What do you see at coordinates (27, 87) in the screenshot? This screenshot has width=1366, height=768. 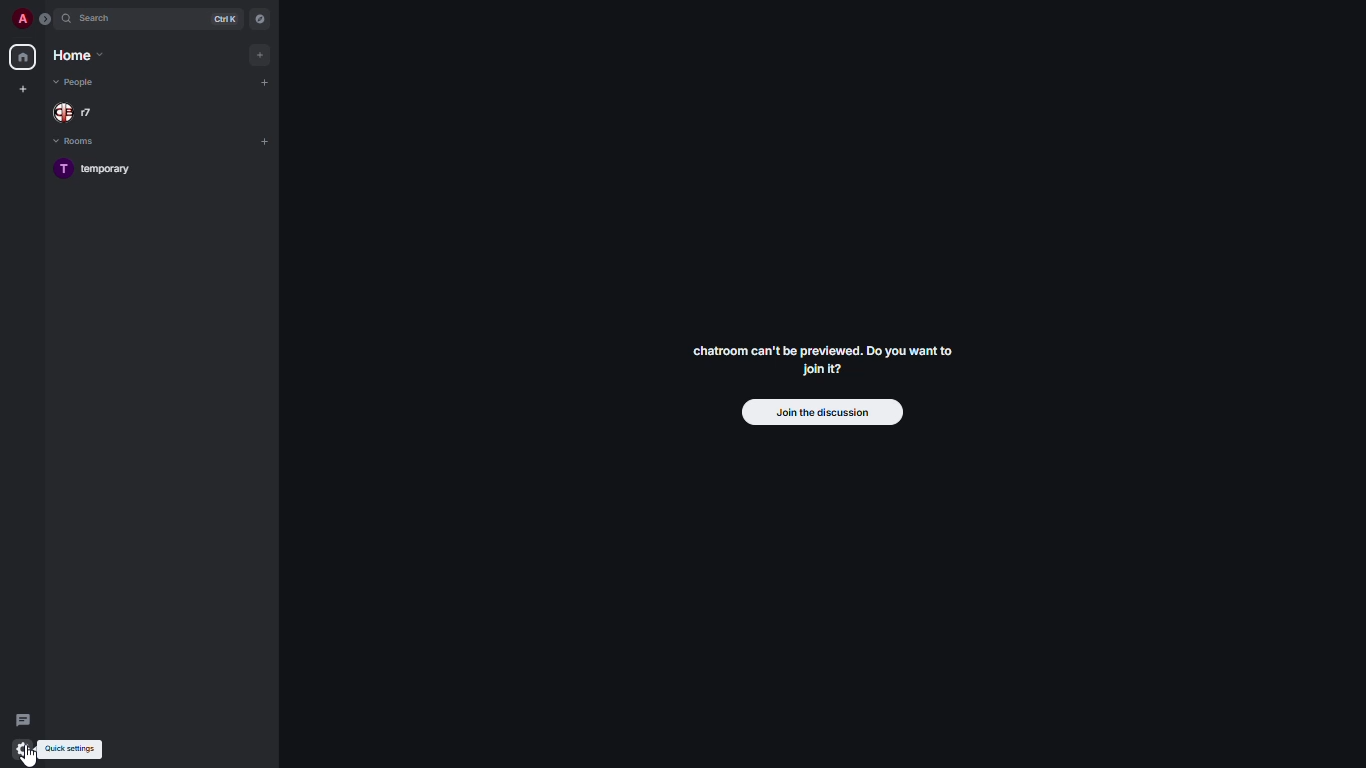 I see `create new space` at bounding box center [27, 87].